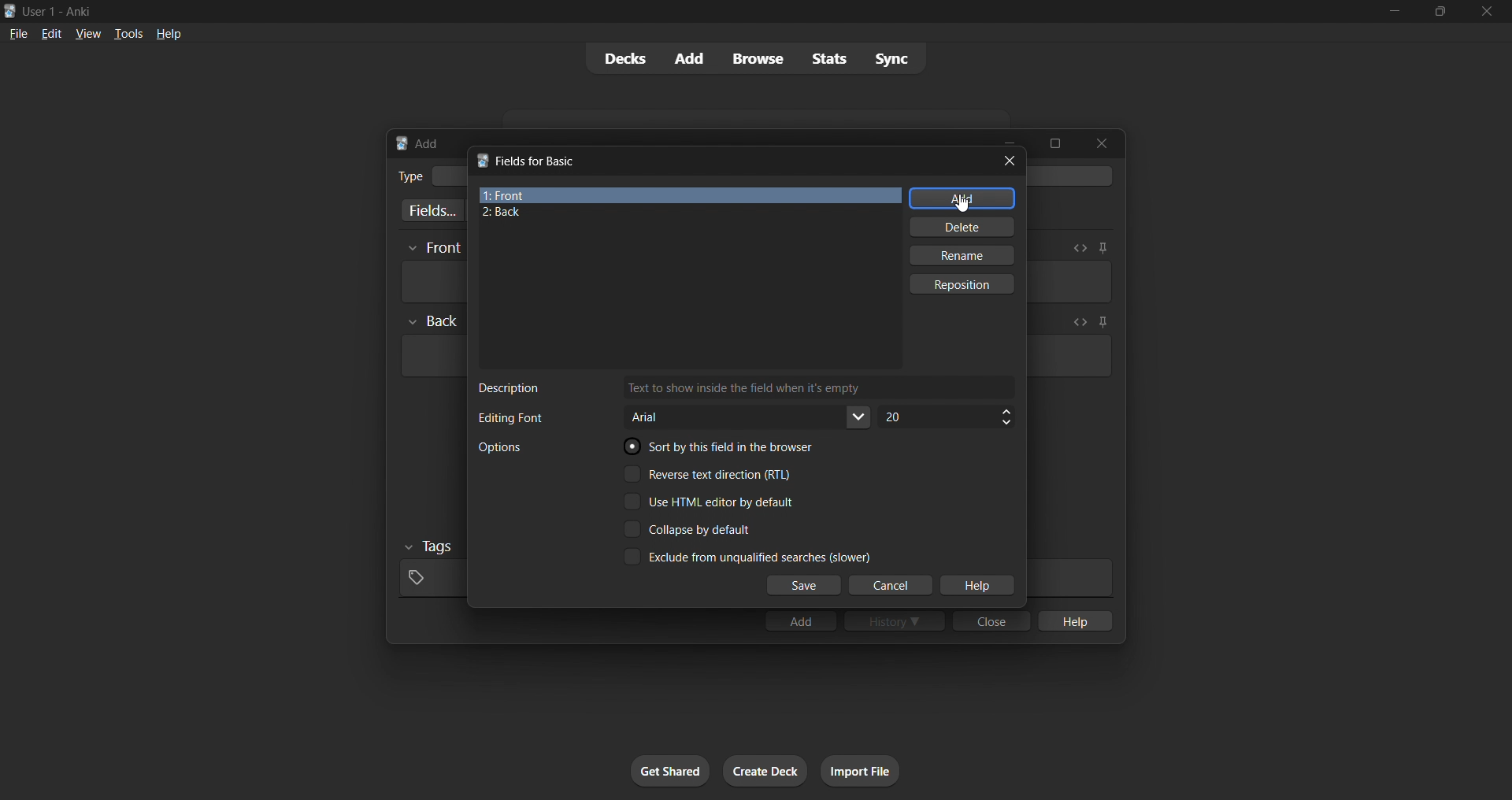  Describe the element at coordinates (1069, 282) in the screenshot. I see `Card front input` at that location.